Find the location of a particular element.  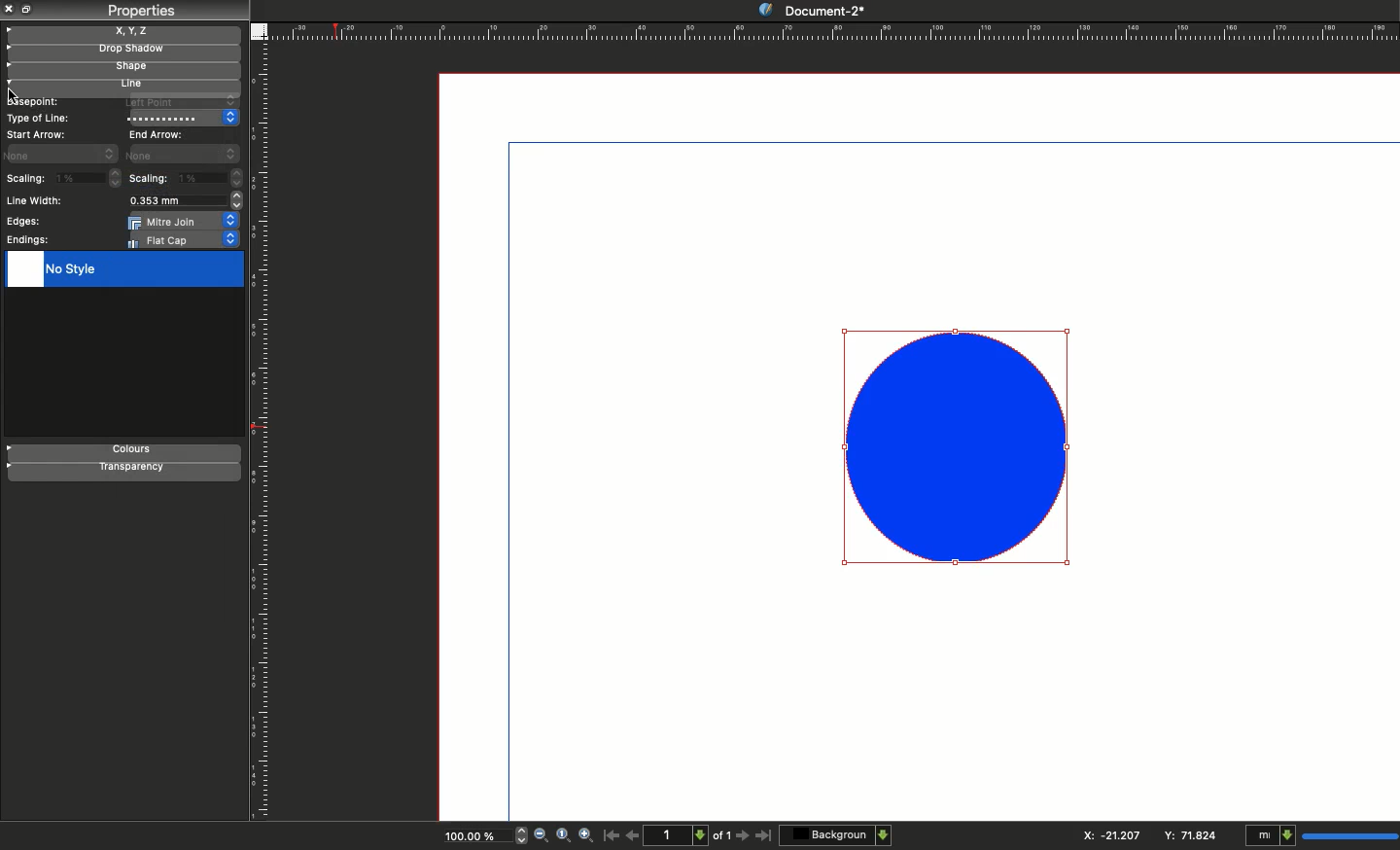

zoom in and out is located at coordinates (517, 834).